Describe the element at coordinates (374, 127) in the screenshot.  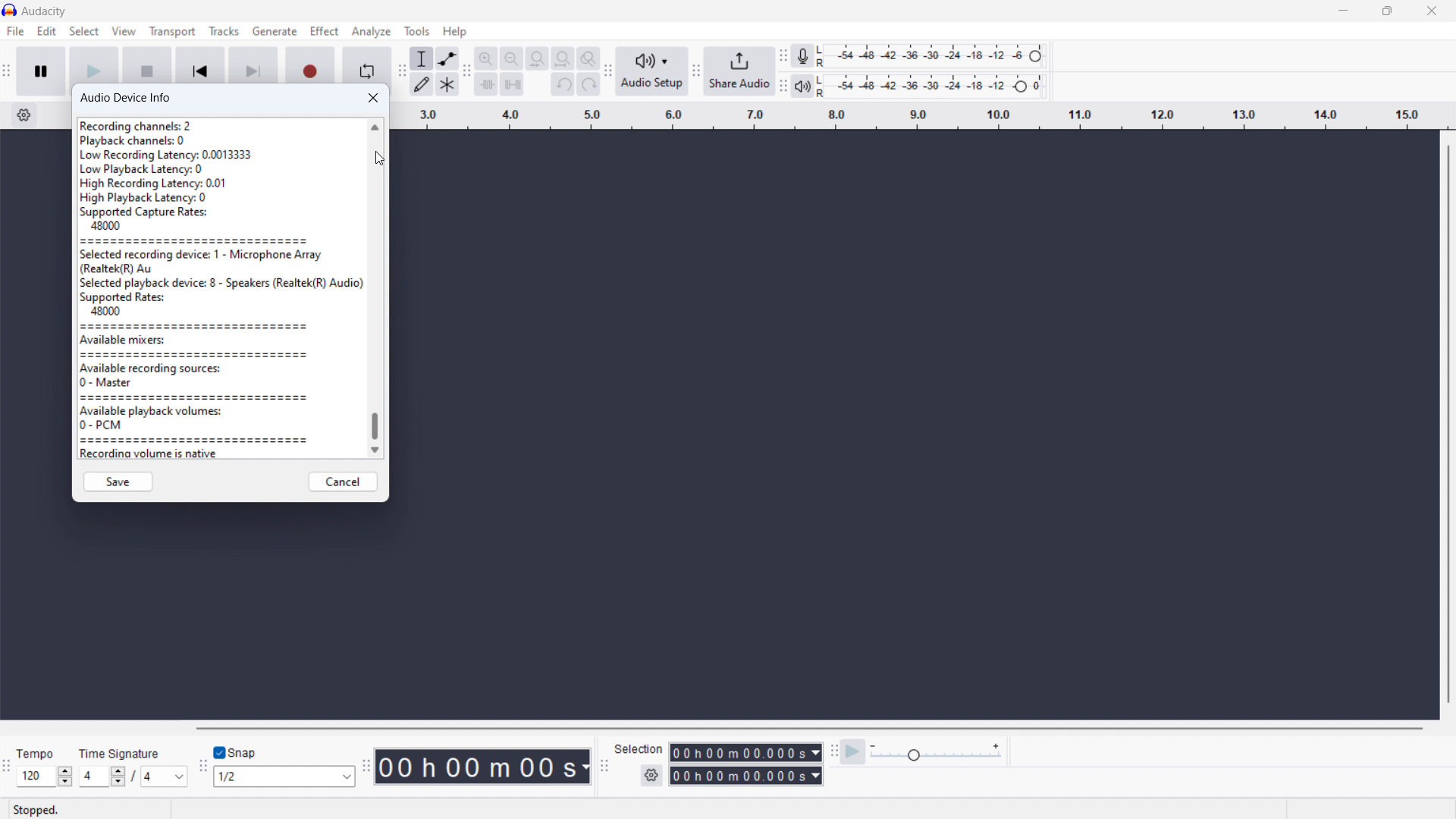
I see `scroll up` at that location.